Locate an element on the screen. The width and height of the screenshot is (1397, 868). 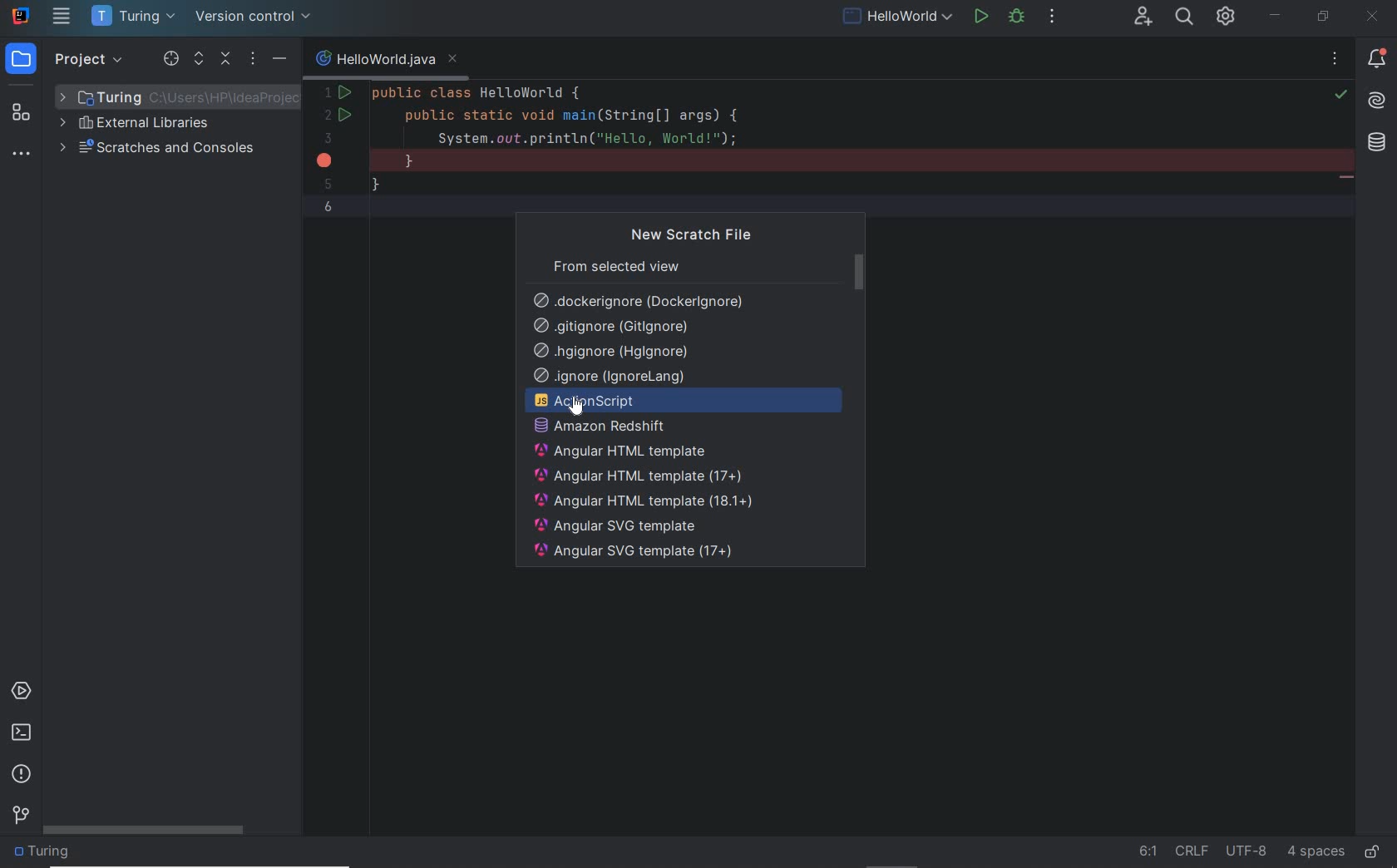
scrollbar is located at coordinates (860, 272).